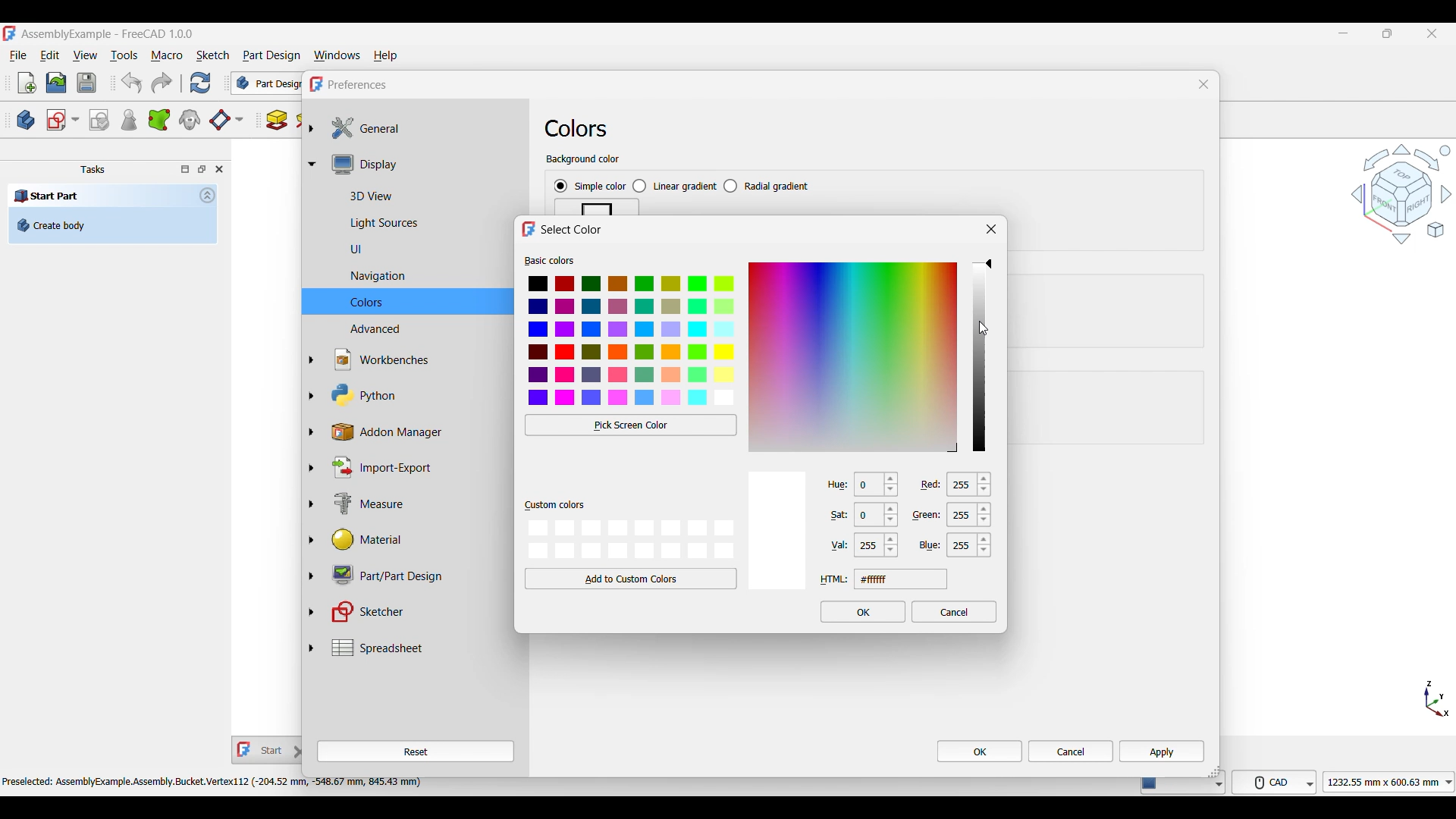 The height and width of the screenshot is (819, 1456). What do you see at coordinates (185, 169) in the screenshot?
I see `Toggle overlay` at bounding box center [185, 169].